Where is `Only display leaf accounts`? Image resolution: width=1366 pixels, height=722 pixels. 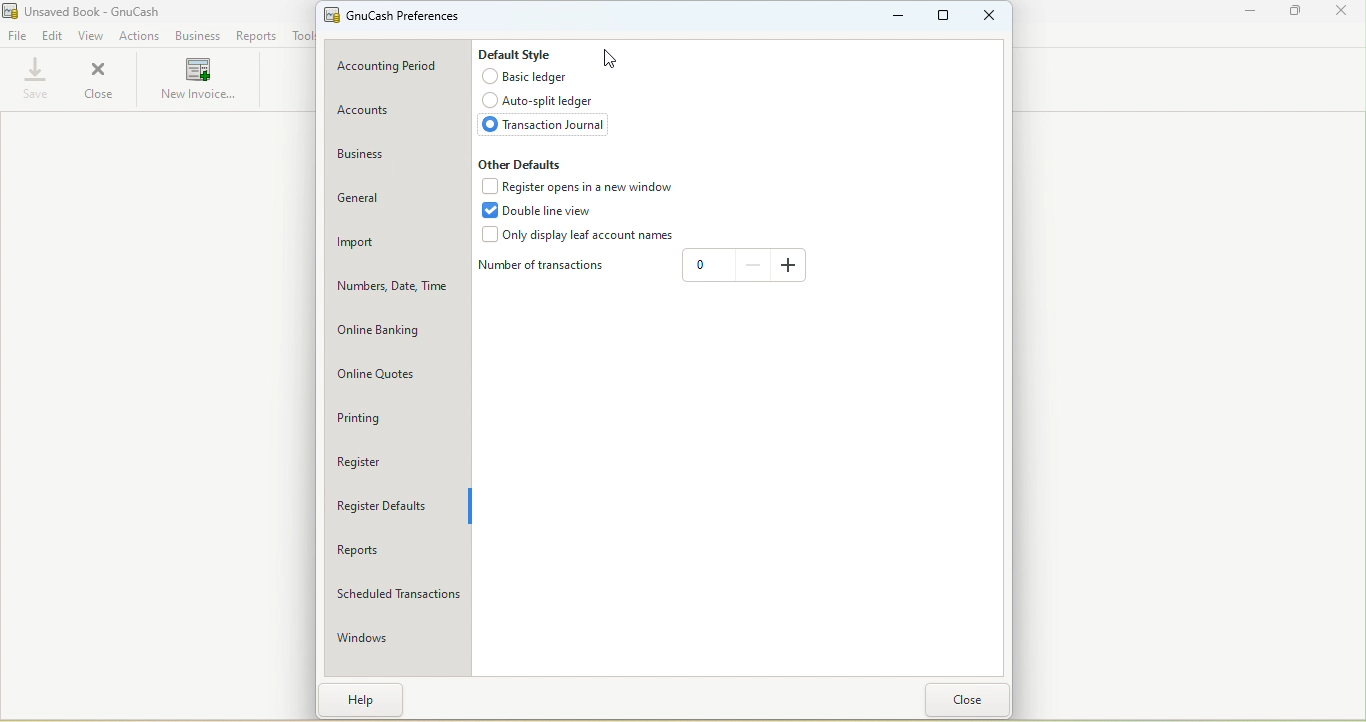 Only display leaf accounts is located at coordinates (575, 236).